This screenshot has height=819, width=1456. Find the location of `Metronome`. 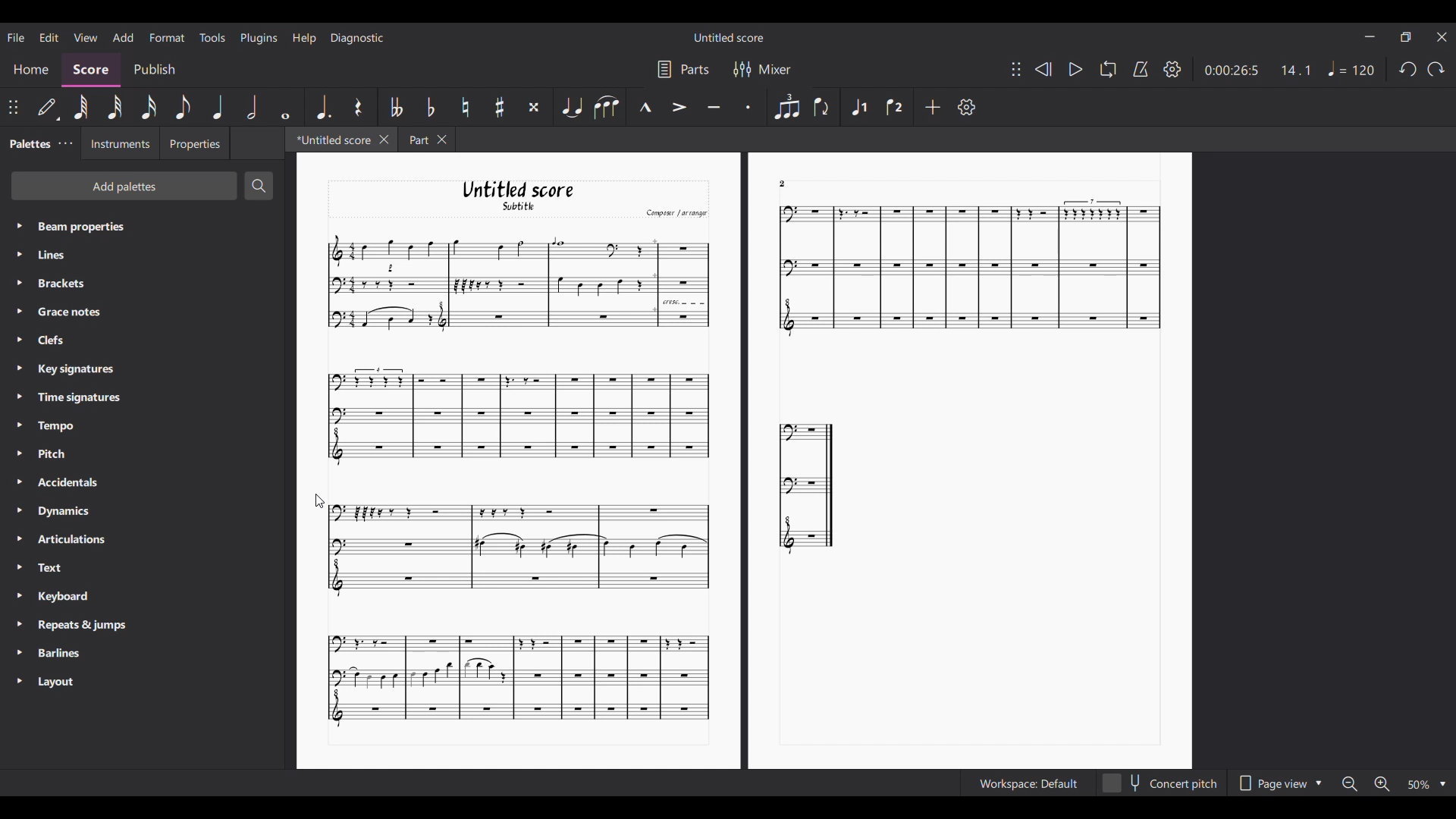

Metronome is located at coordinates (1141, 69).